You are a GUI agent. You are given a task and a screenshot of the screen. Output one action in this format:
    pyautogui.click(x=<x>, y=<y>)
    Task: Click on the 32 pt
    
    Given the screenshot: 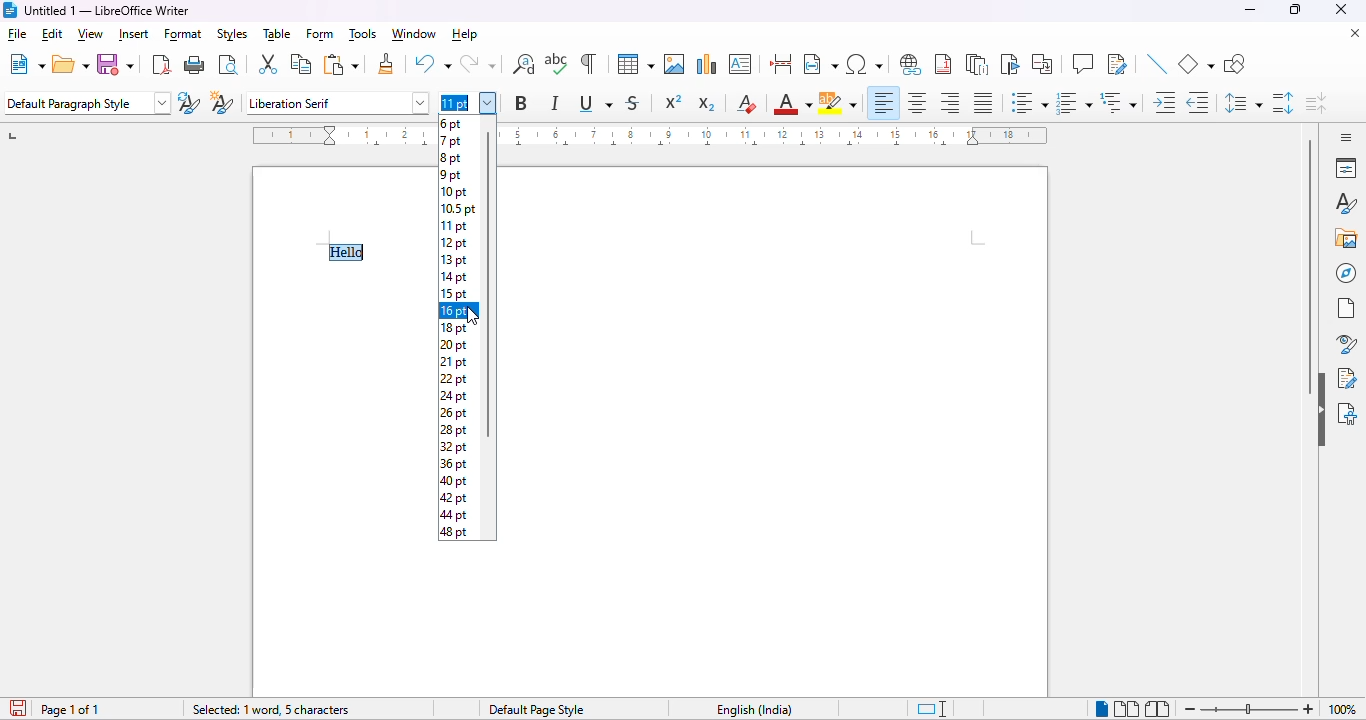 What is the action you would take?
    pyautogui.click(x=452, y=446)
    